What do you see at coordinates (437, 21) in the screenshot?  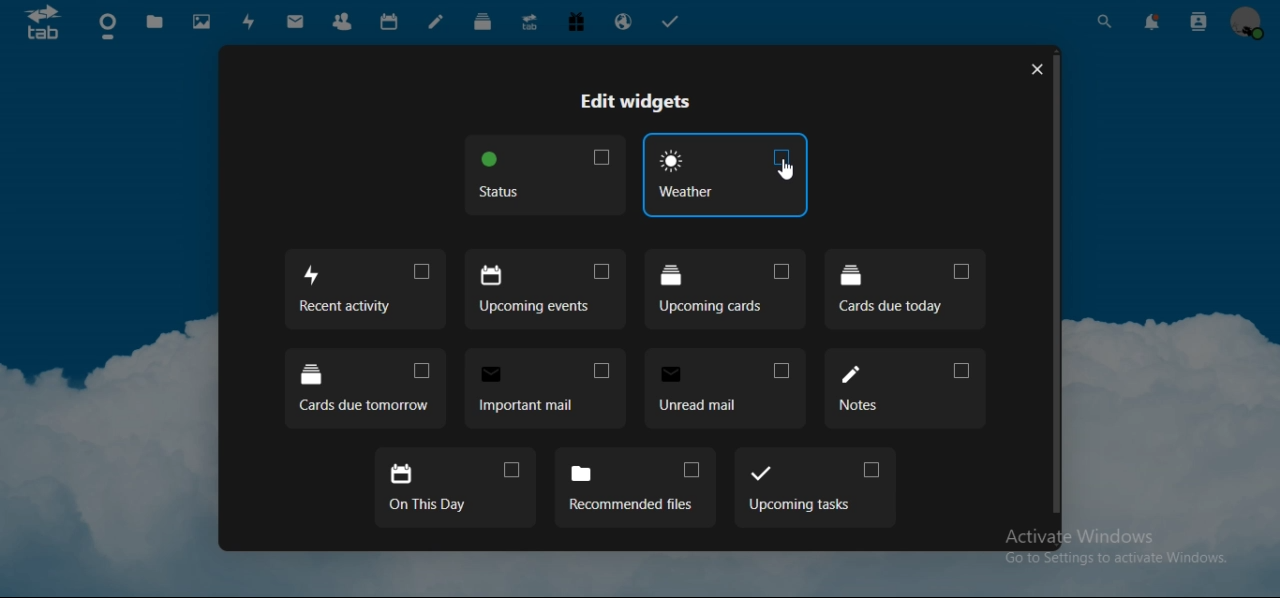 I see `notes` at bounding box center [437, 21].